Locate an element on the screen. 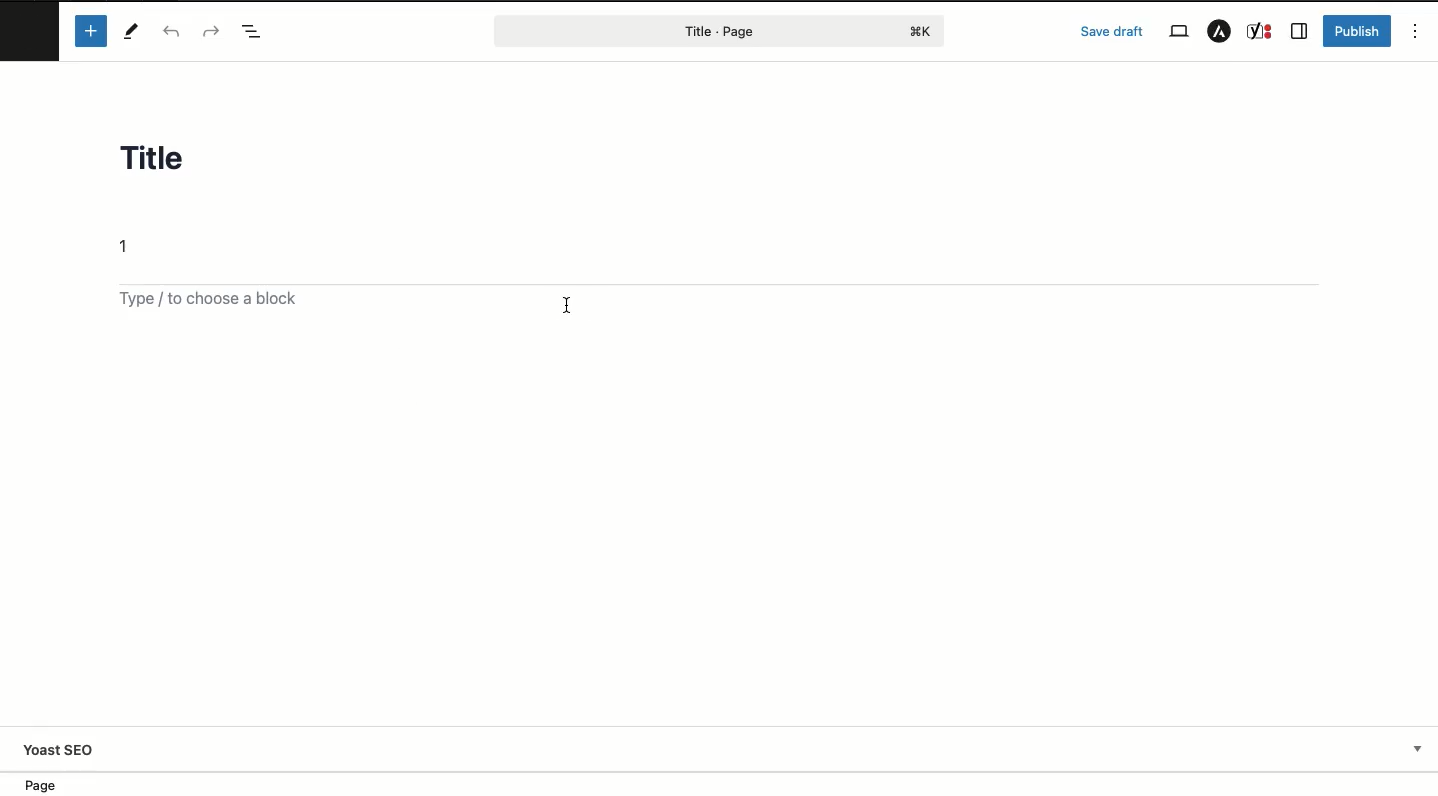  Undo is located at coordinates (176, 32).